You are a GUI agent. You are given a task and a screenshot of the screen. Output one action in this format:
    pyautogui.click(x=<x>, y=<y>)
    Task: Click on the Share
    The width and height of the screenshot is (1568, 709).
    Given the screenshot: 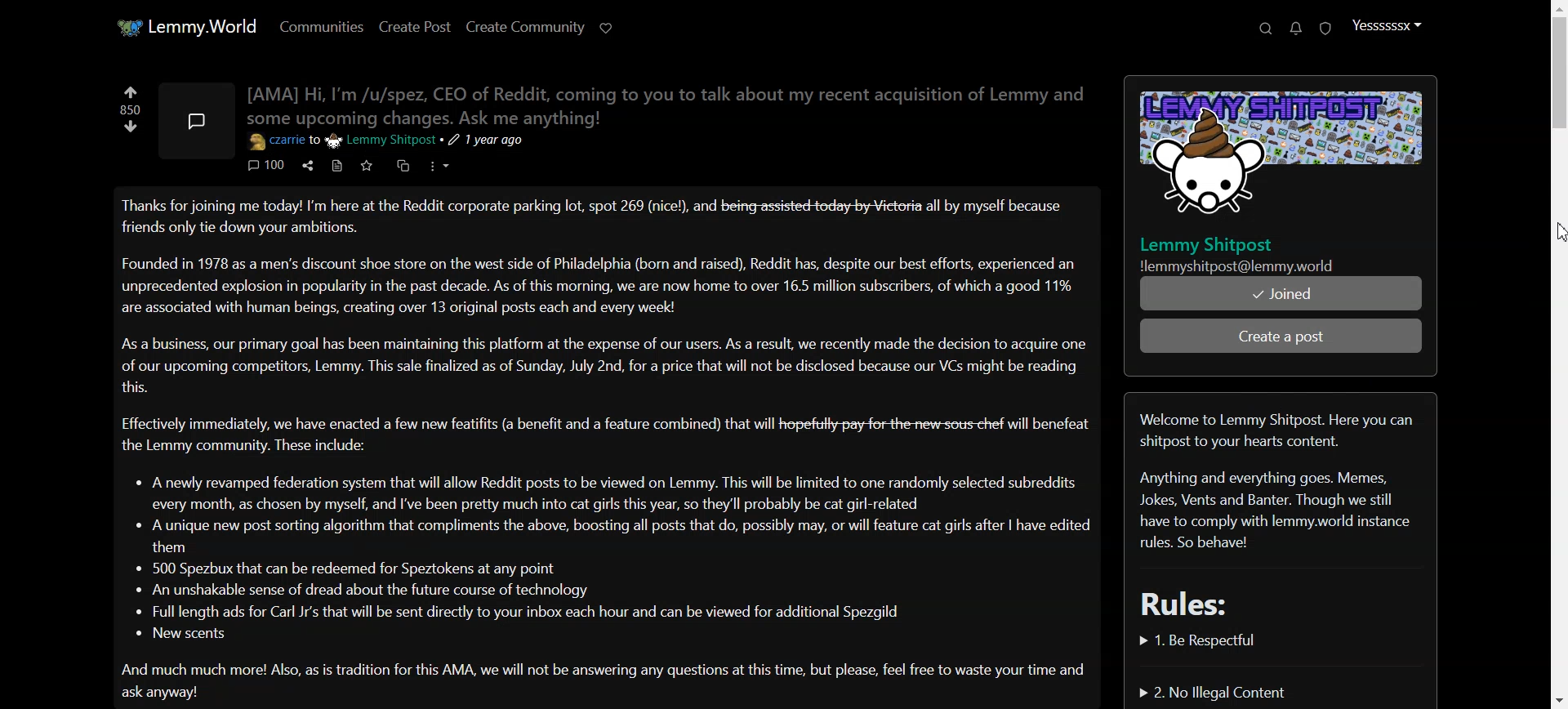 What is the action you would take?
    pyautogui.click(x=307, y=166)
    